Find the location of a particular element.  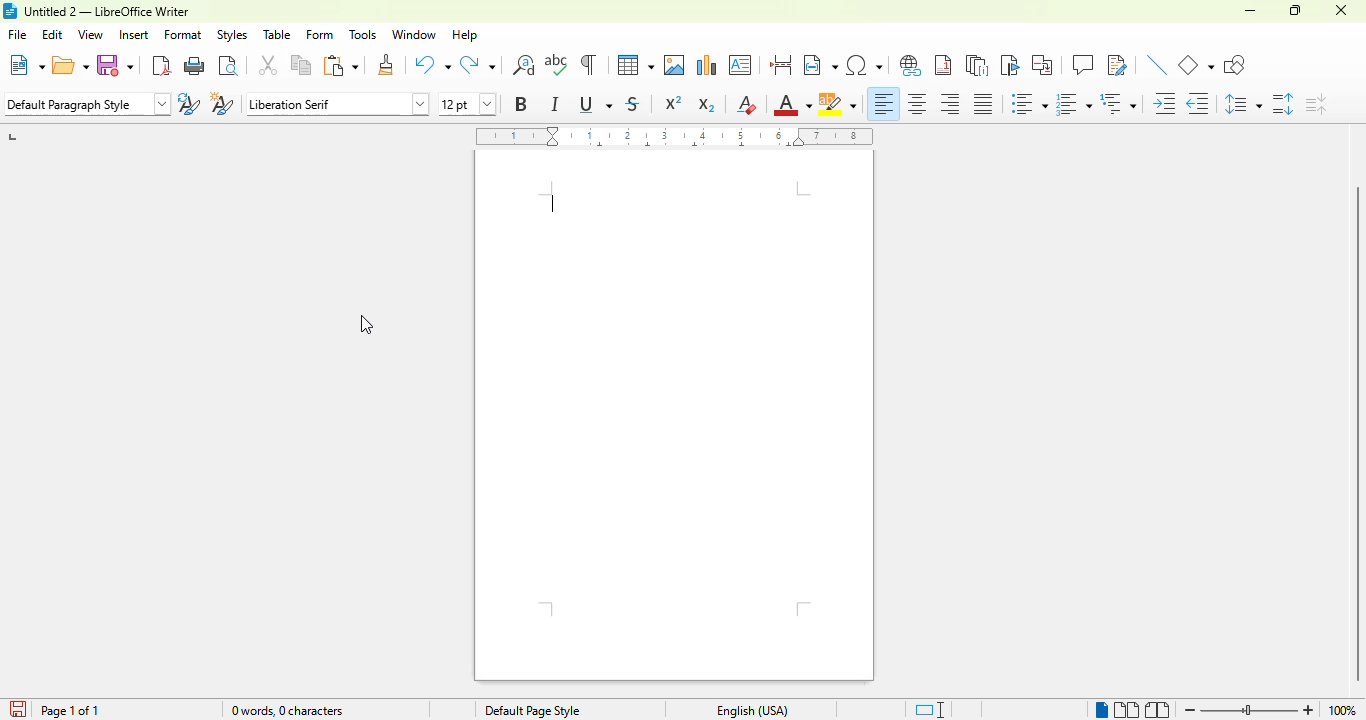

new style from selection is located at coordinates (223, 103).